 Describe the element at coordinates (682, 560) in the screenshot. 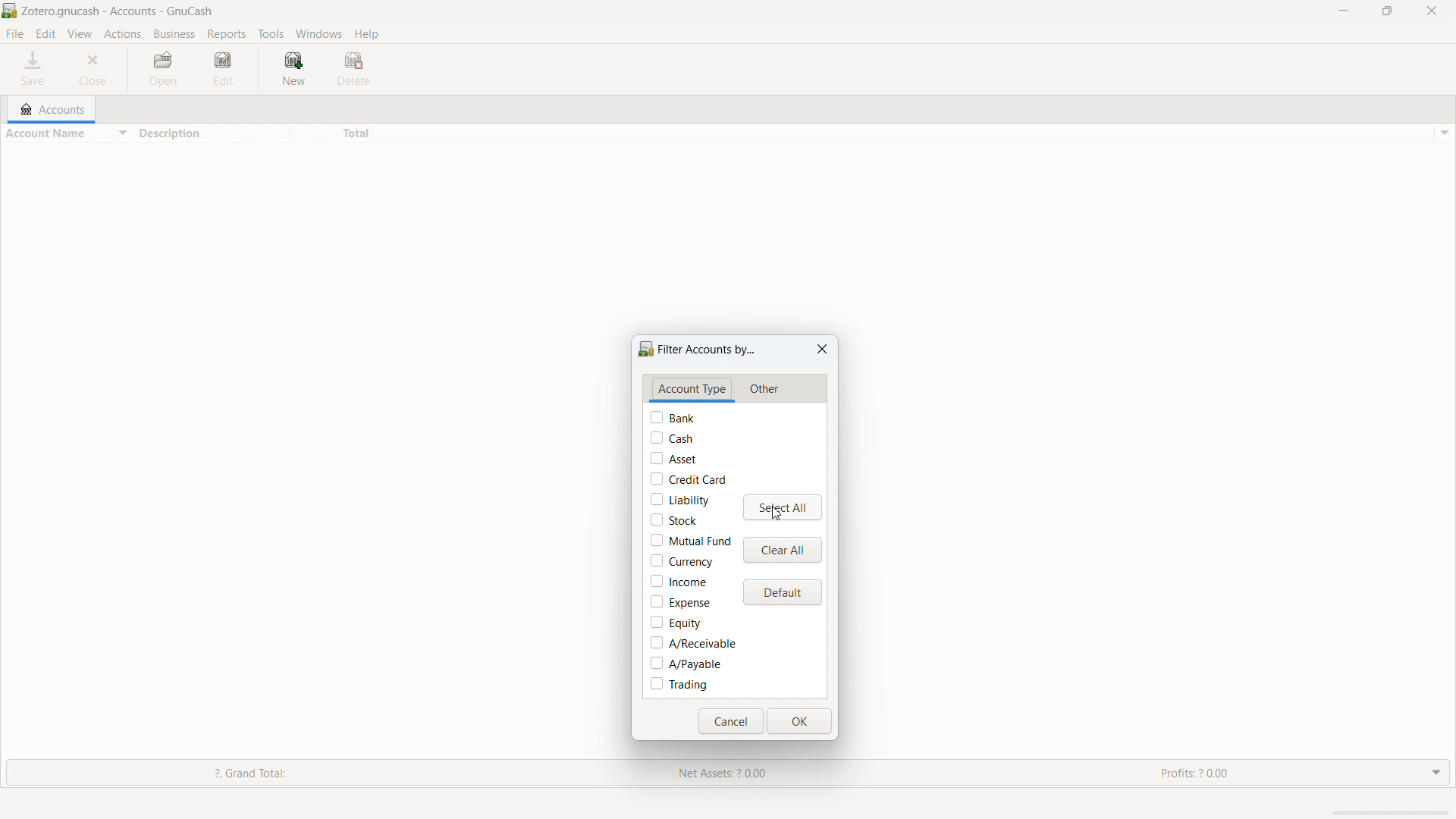

I see `currency` at that location.